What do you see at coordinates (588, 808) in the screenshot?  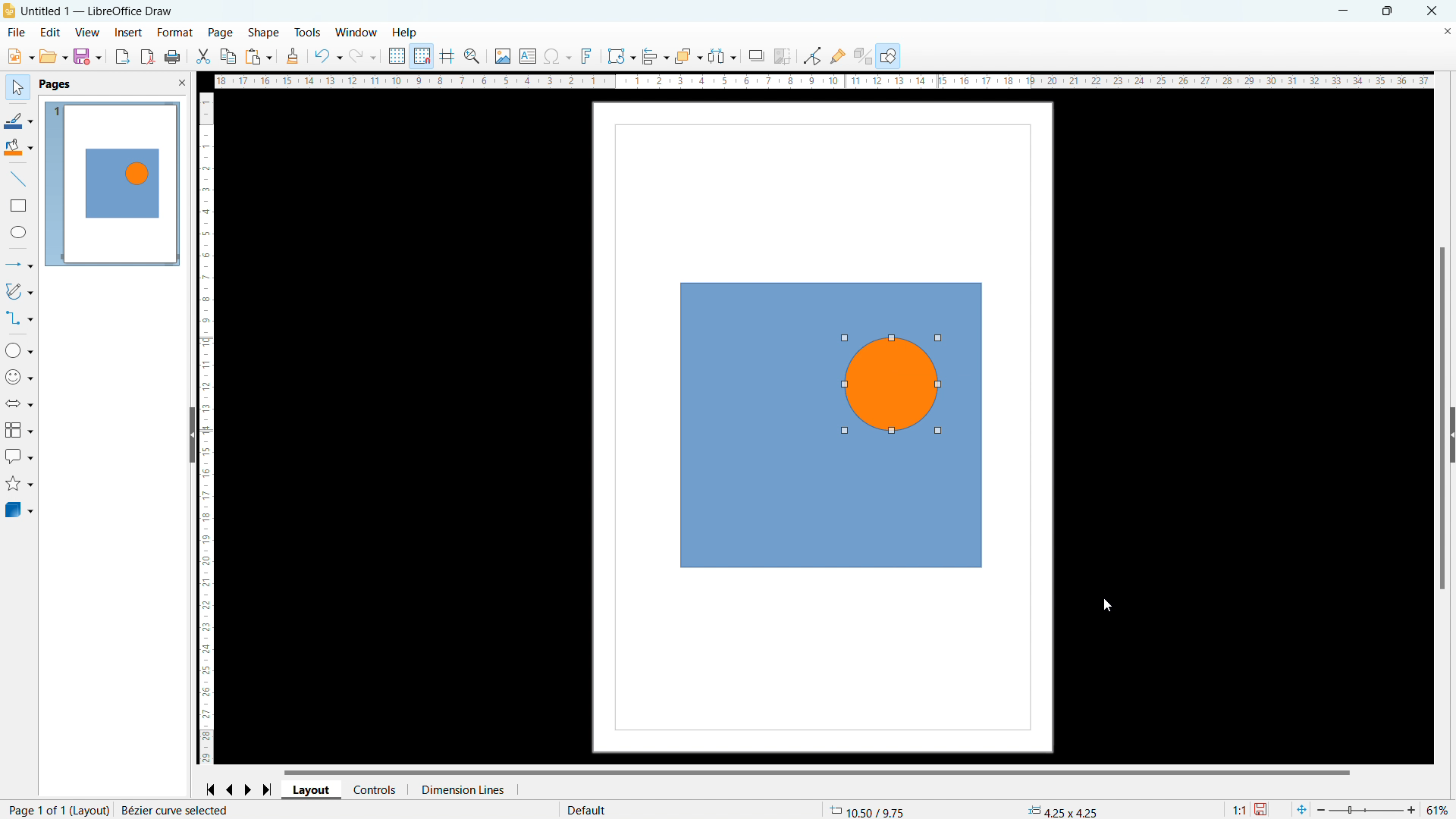 I see `default` at bounding box center [588, 808].